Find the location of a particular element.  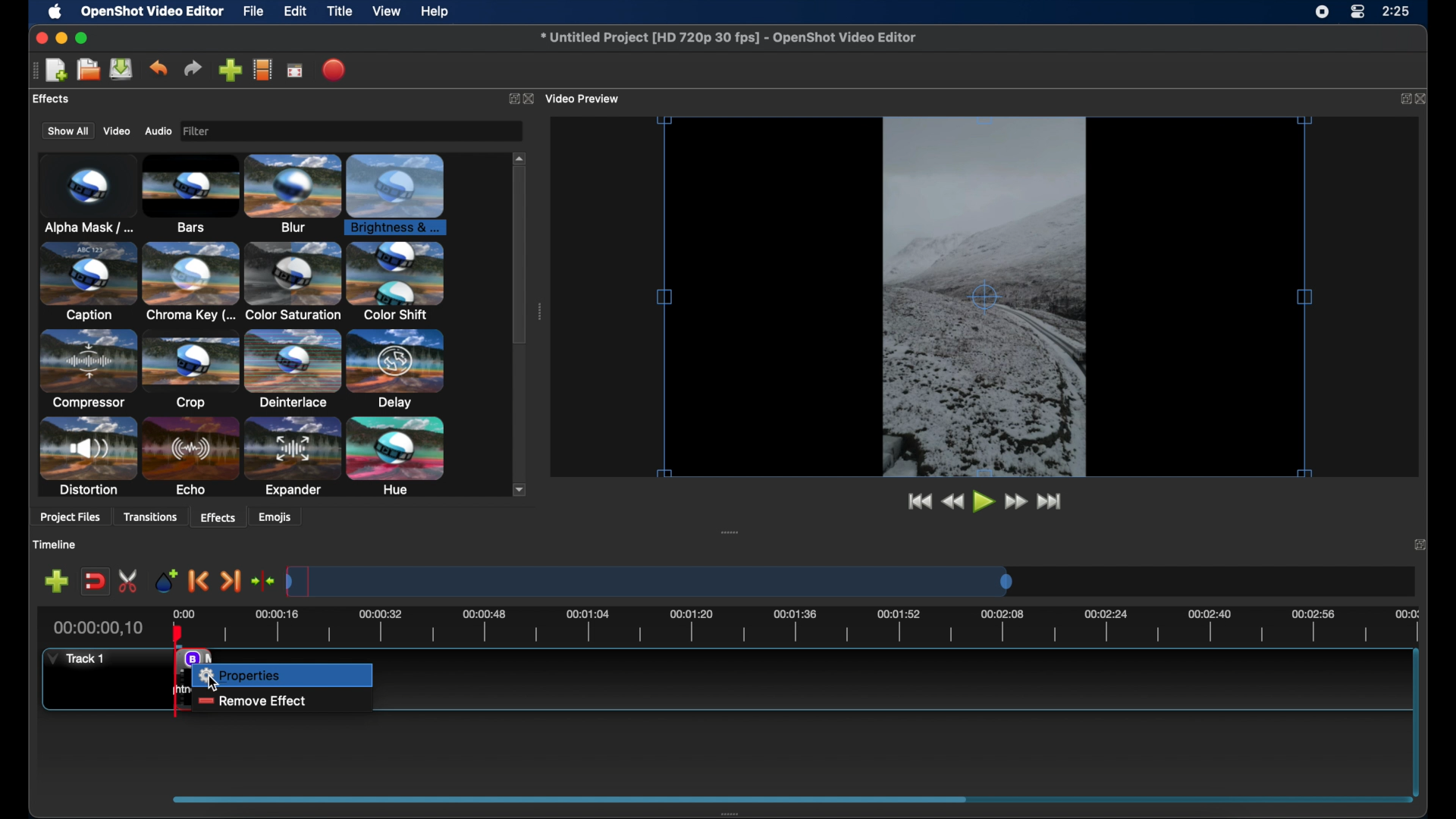

scroll down arrow is located at coordinates (522, 490).